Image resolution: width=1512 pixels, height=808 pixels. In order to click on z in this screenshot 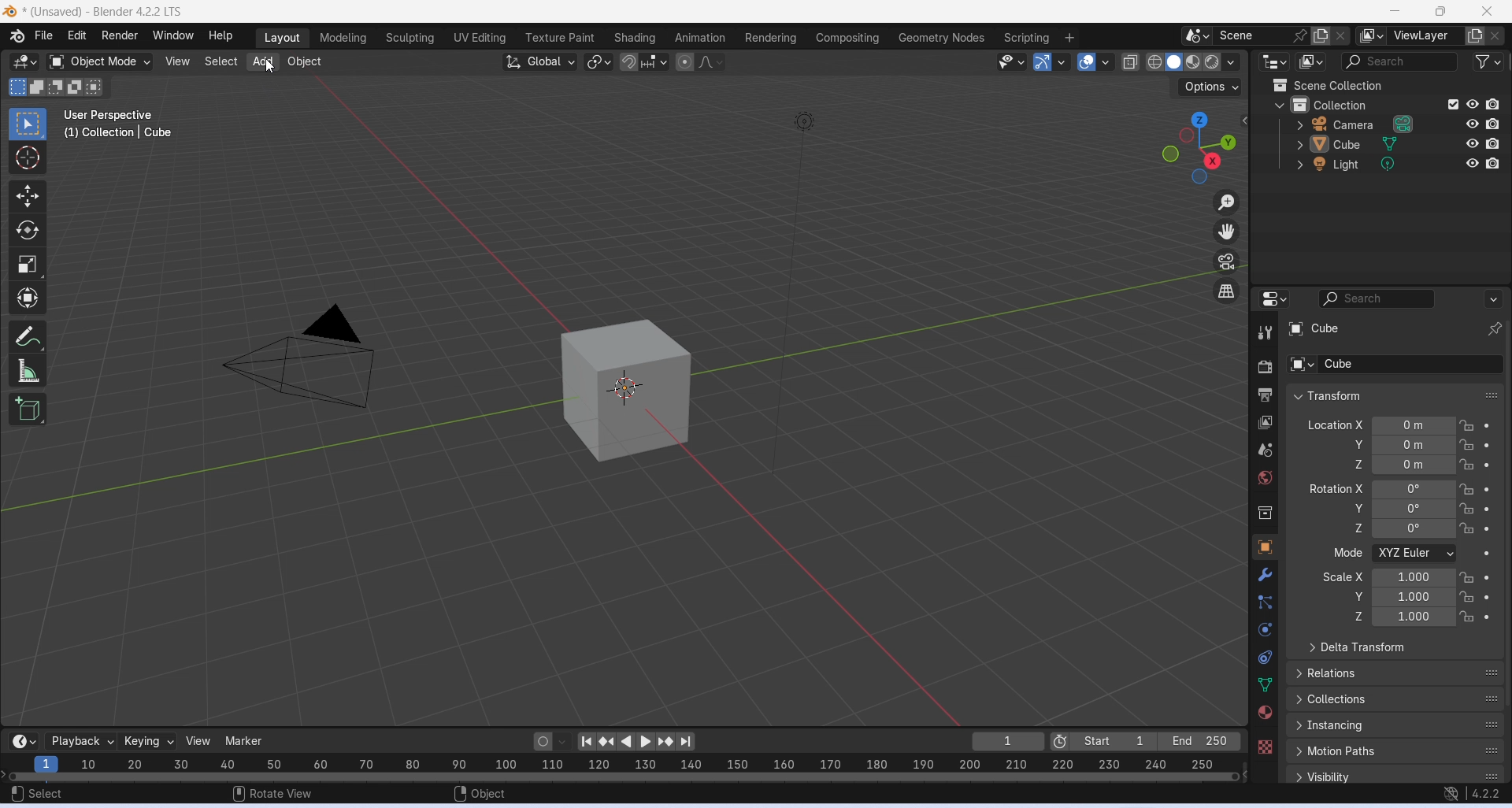, I will do `click(1353, 617)`.